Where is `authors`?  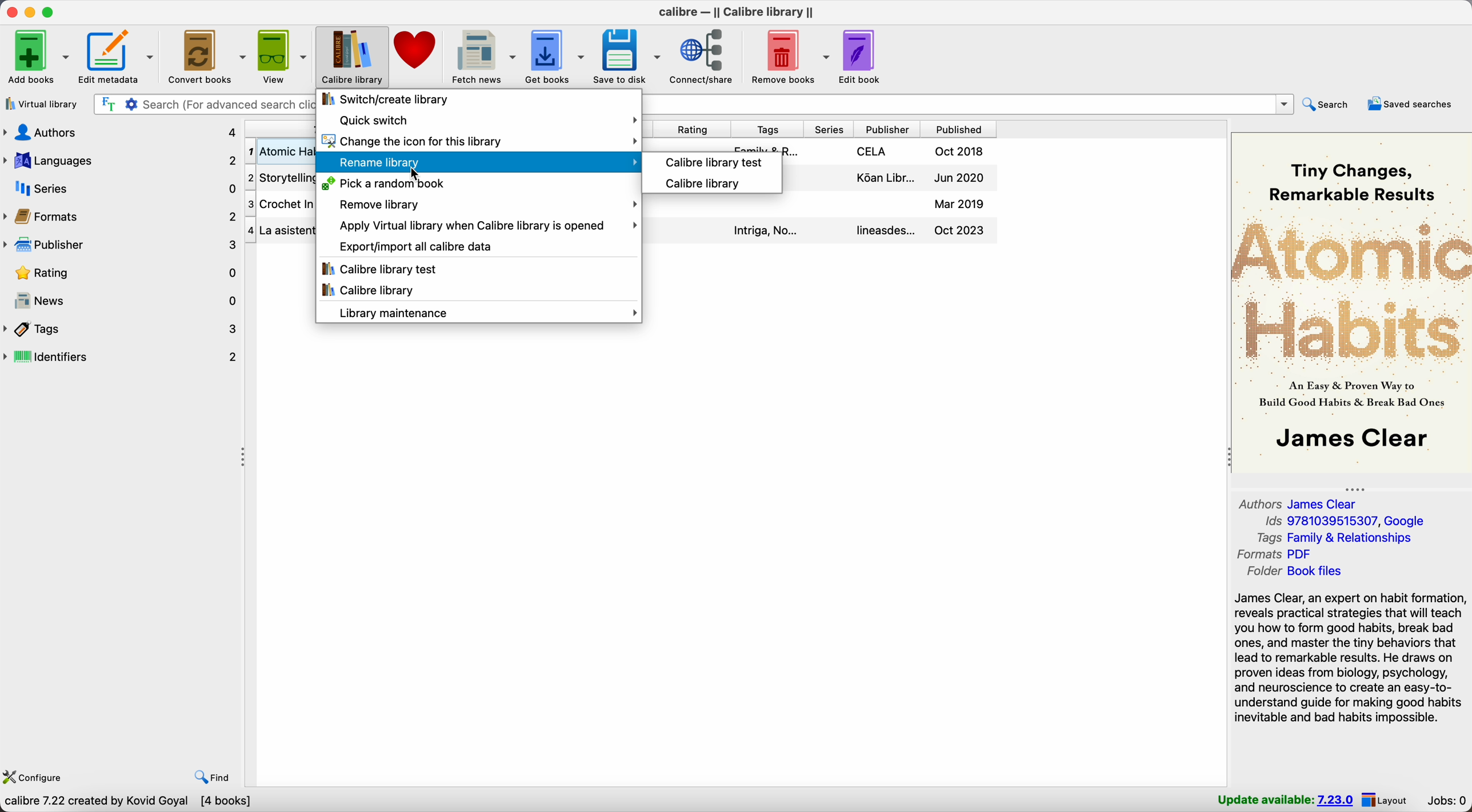
authors is located at coordinates (121, 131).